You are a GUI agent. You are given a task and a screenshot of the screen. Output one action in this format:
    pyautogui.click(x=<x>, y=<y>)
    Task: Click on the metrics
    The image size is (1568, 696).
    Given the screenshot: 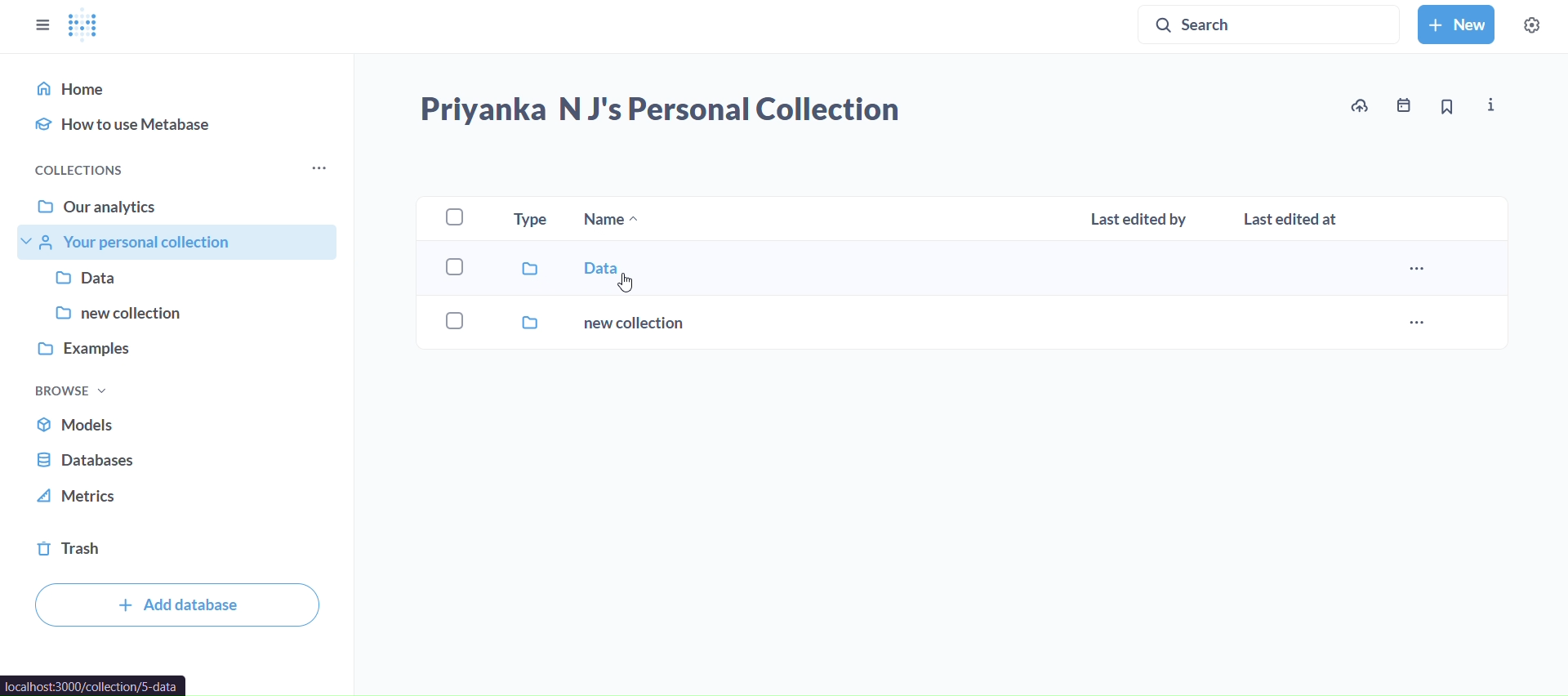 What is the action you would take?
    pyautogui.click(x=175, y=498)
    